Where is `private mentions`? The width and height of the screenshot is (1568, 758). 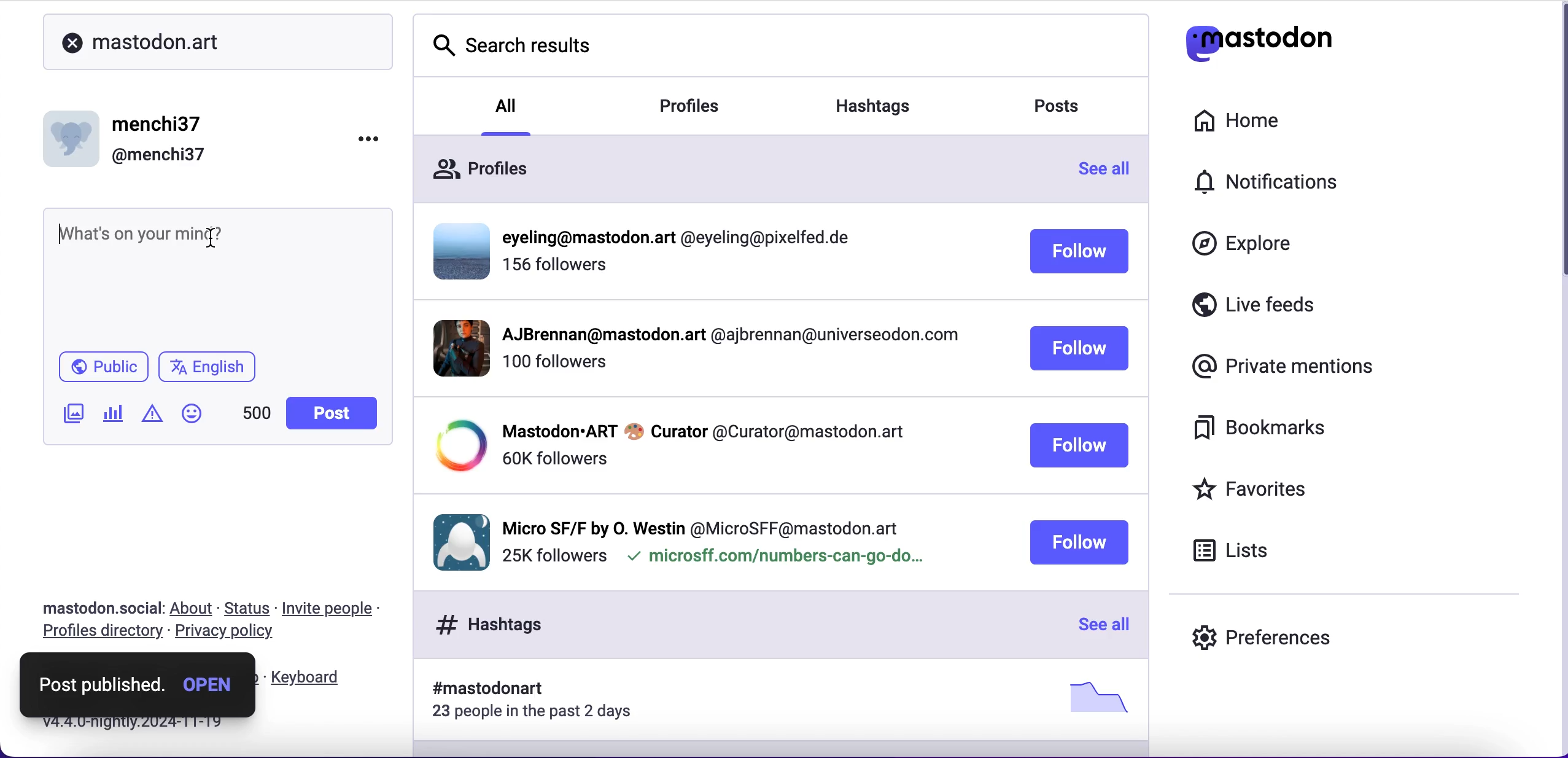 private mentions is located at coordinates (1278, 367).